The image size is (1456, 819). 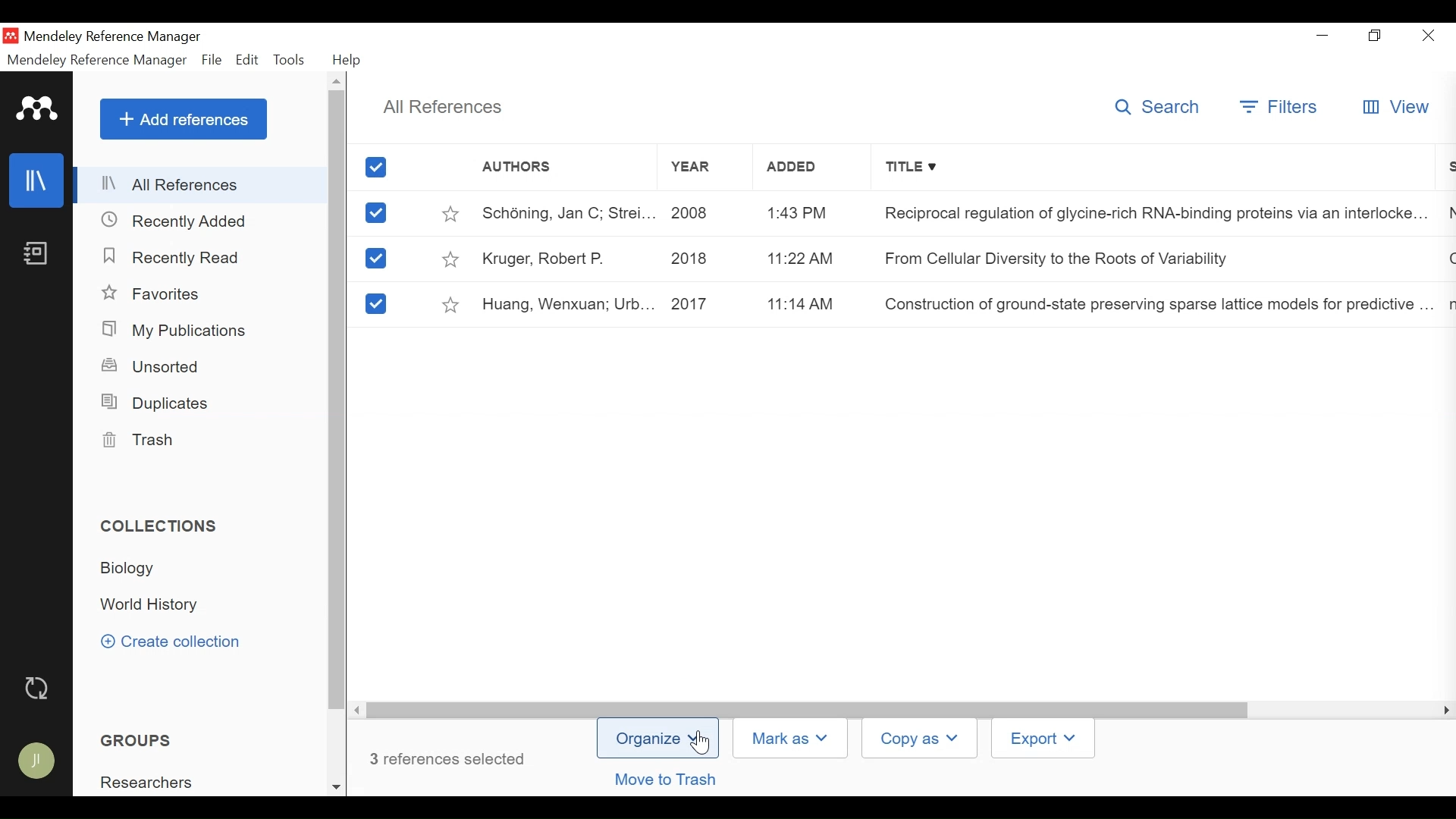 I want to click on Recently Added, so click(x=174, y=221).